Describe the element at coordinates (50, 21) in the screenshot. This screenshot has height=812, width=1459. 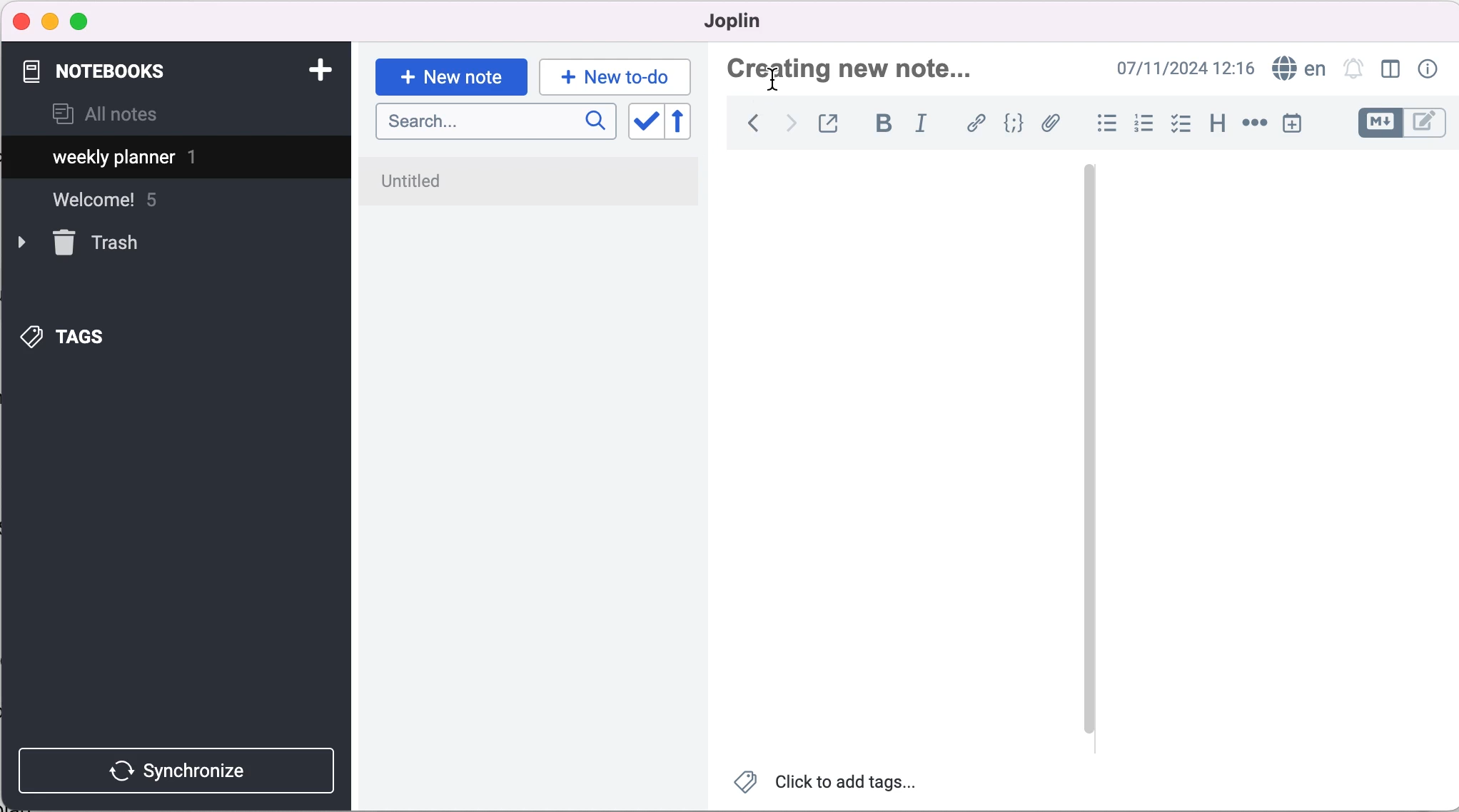
I see `minimize` at that location.